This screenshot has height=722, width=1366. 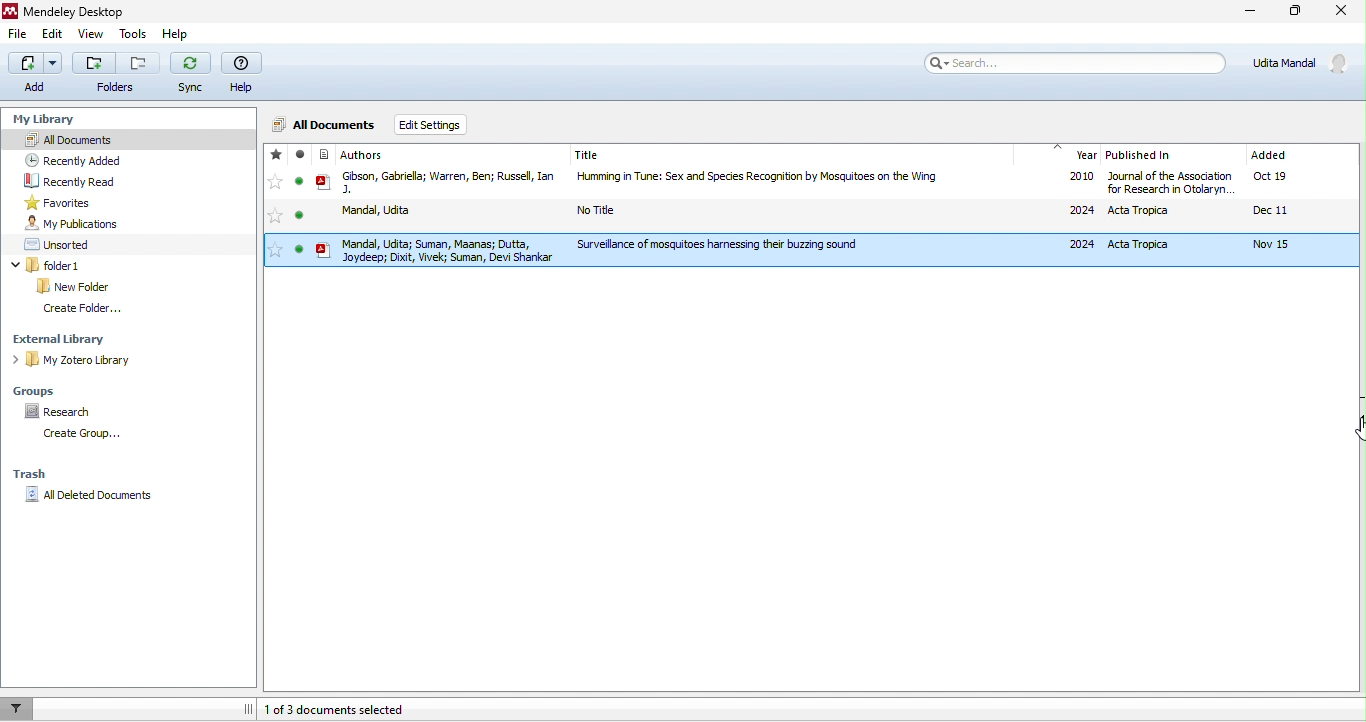 What do you see at coordinates (85, 311) in the screenshot?
I see `create folder` at bounding box center [85, 311].